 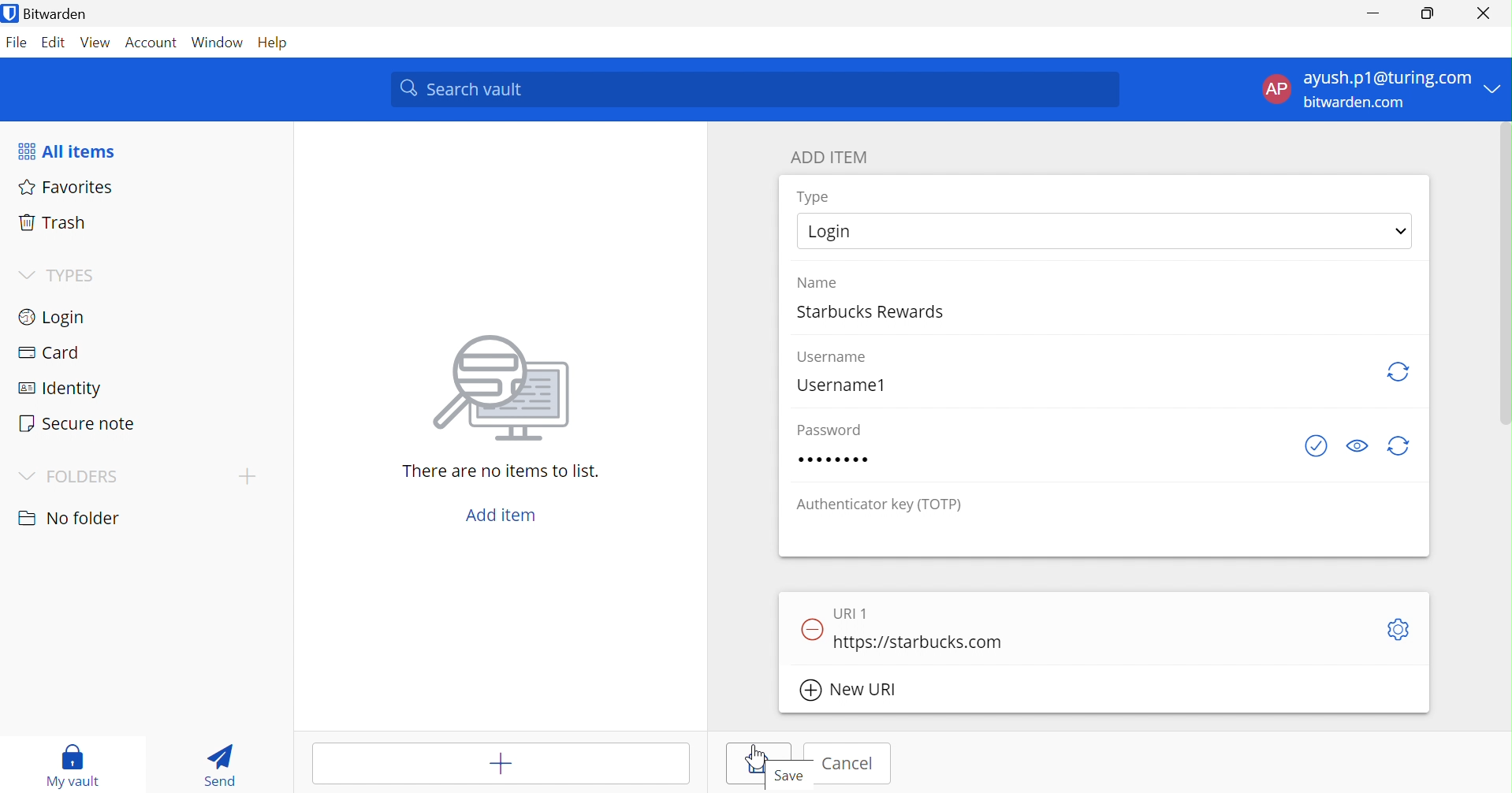 What do you see at coordinates (246, 476) in the screenshot?
I see `Drop Down` at bounding box center [246, 476].